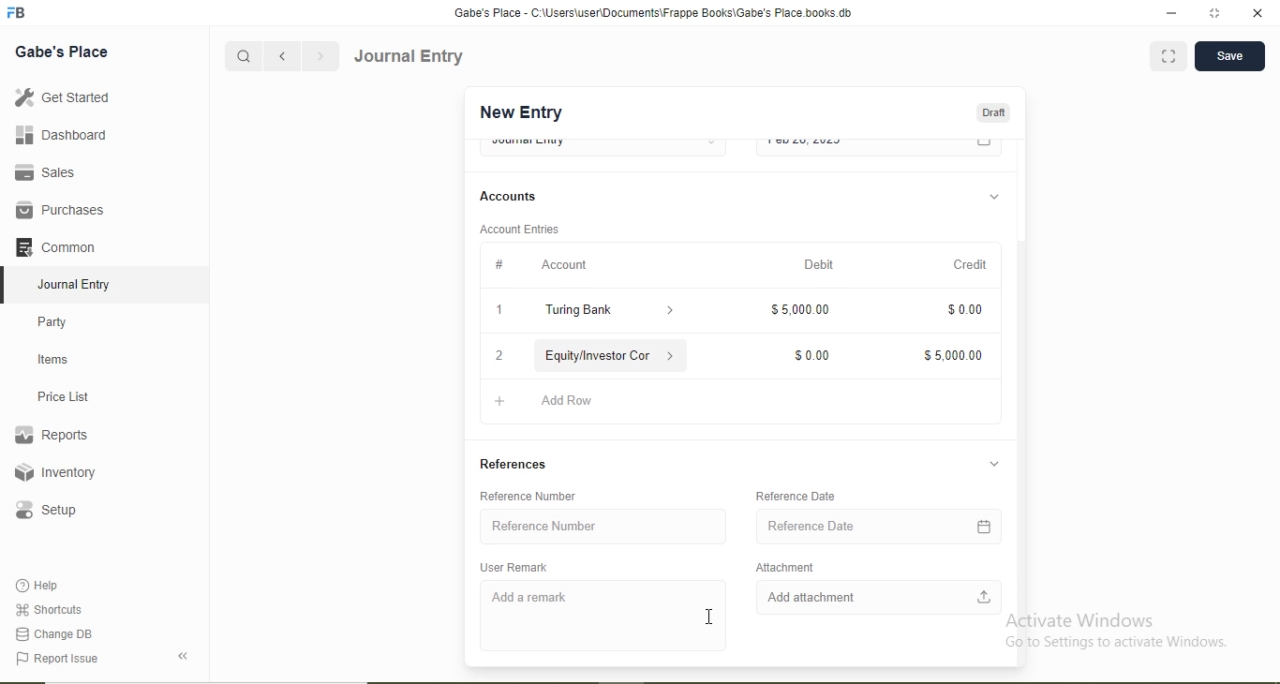 The height and width of the screenshot is (684, 1280). What do you see at coordinates (993, 114) in the screenshot?
I see `Draft` at bounding box center [993, 114].